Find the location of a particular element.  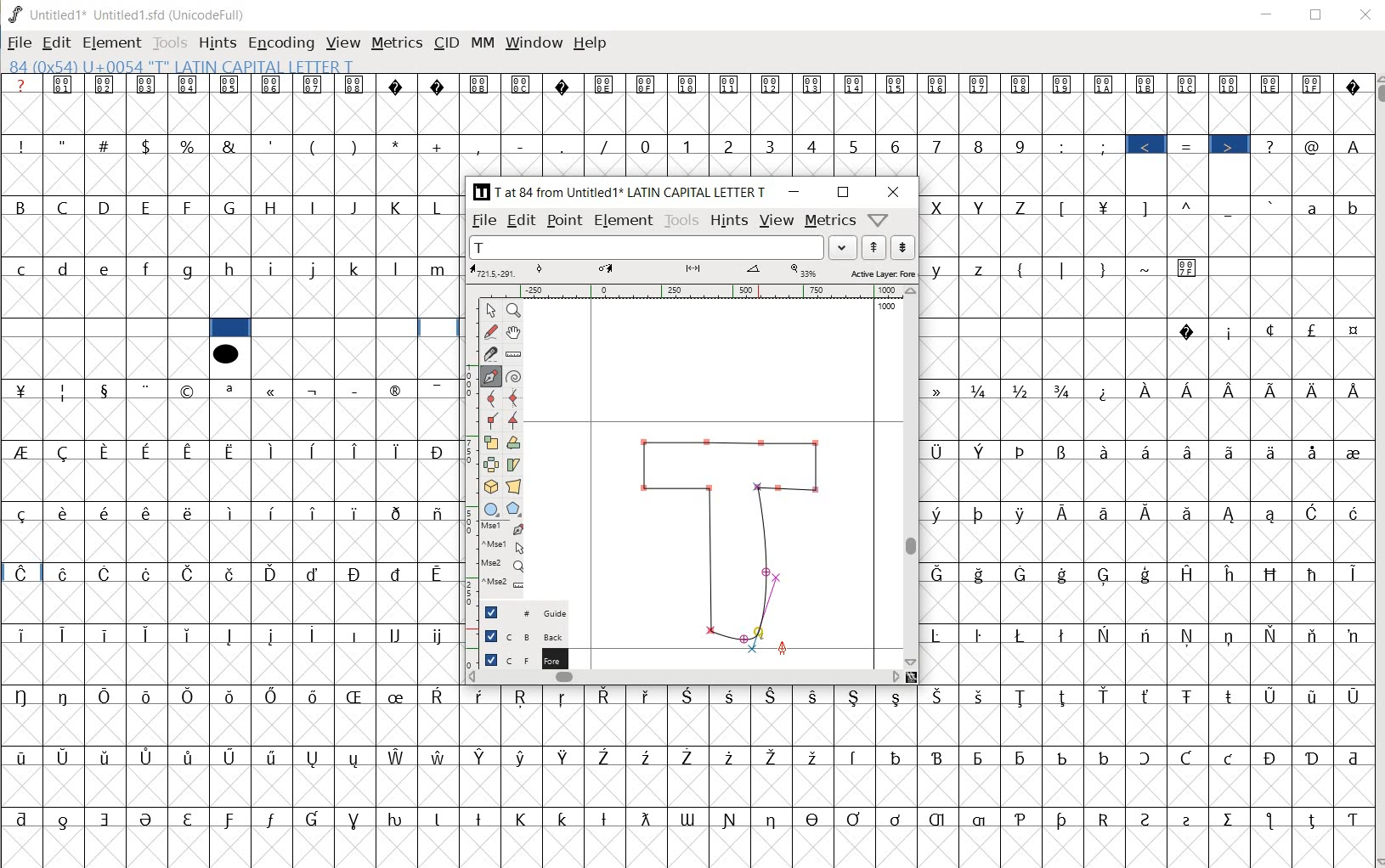

Symbol is located at coordinates (1189, 451).